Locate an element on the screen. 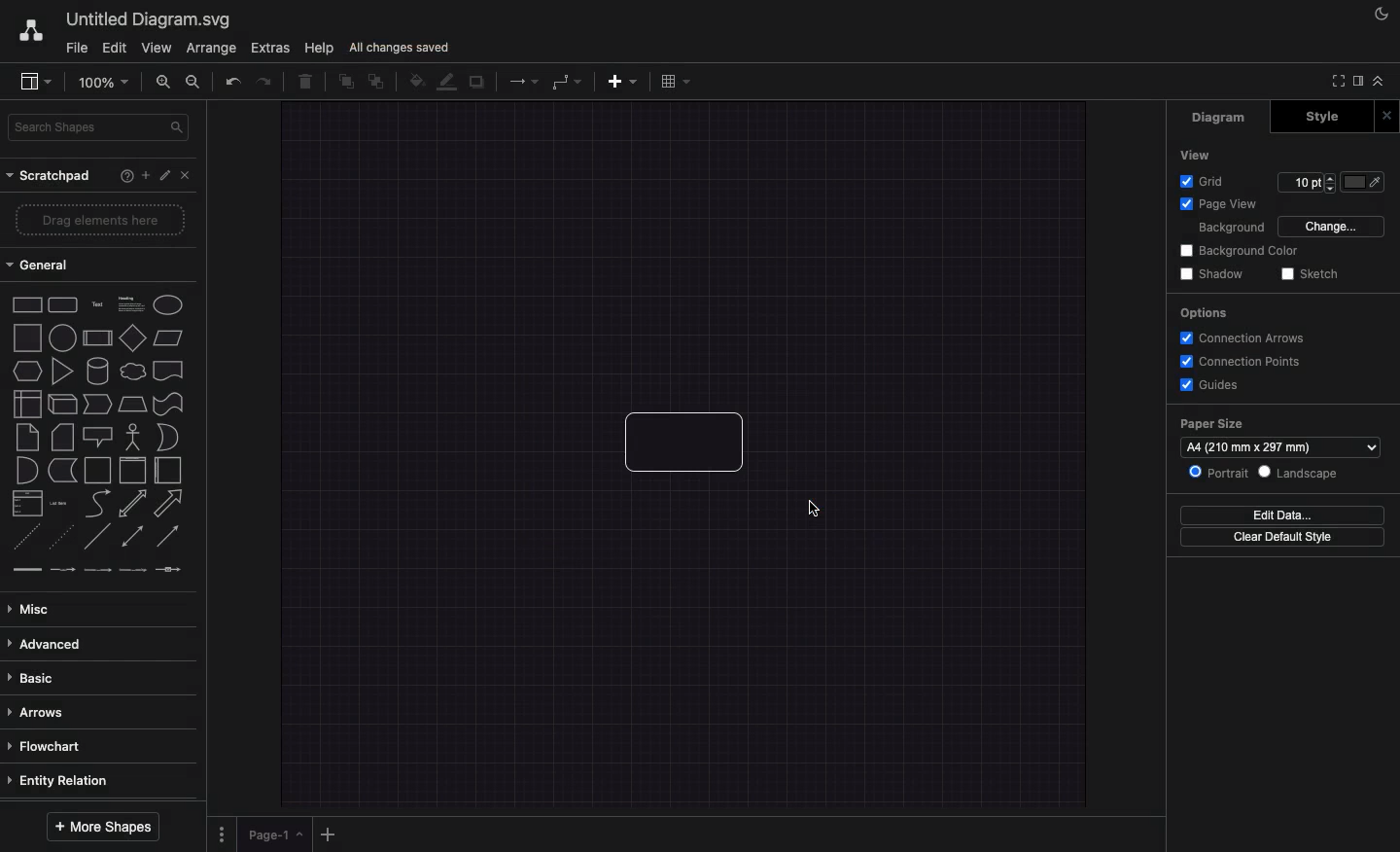 The height and width of the screenshot is (852, 1400). Connection is located at coordinates (524, 81).